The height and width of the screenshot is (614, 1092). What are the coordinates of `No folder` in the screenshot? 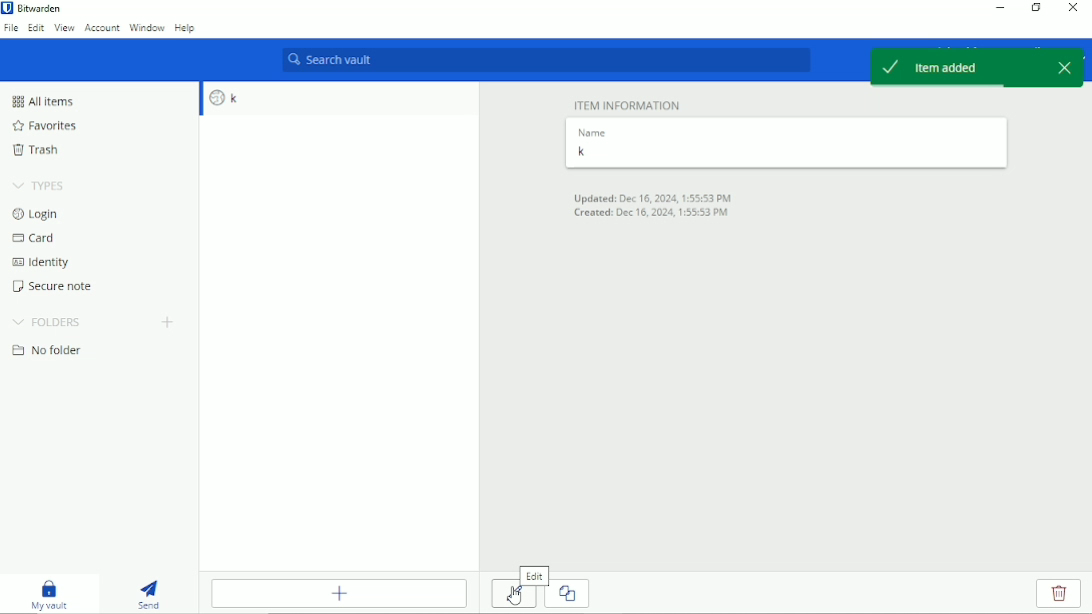 It's located at (47, 350).